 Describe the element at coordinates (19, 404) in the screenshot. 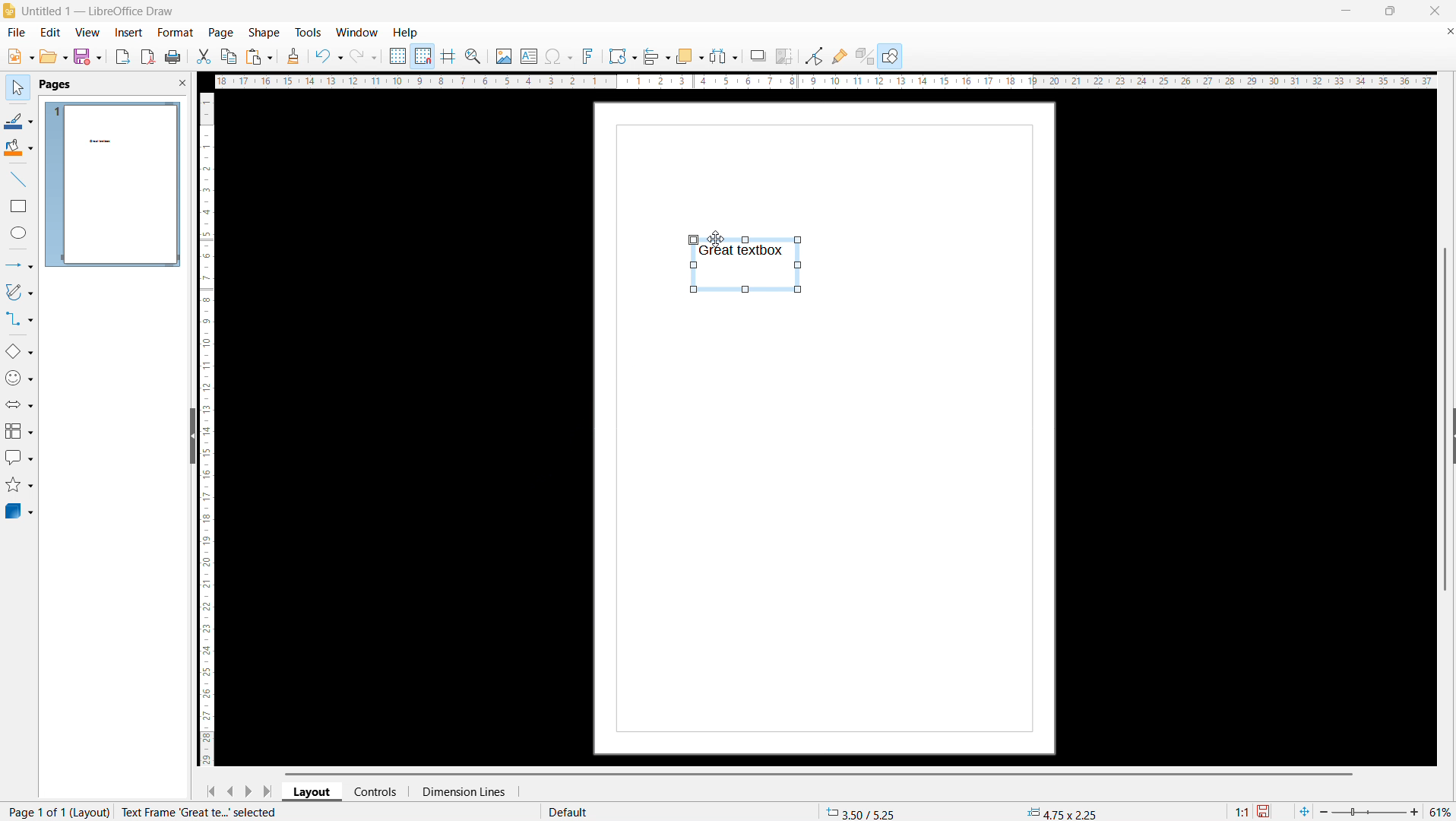

I see `block arrows` at that location.